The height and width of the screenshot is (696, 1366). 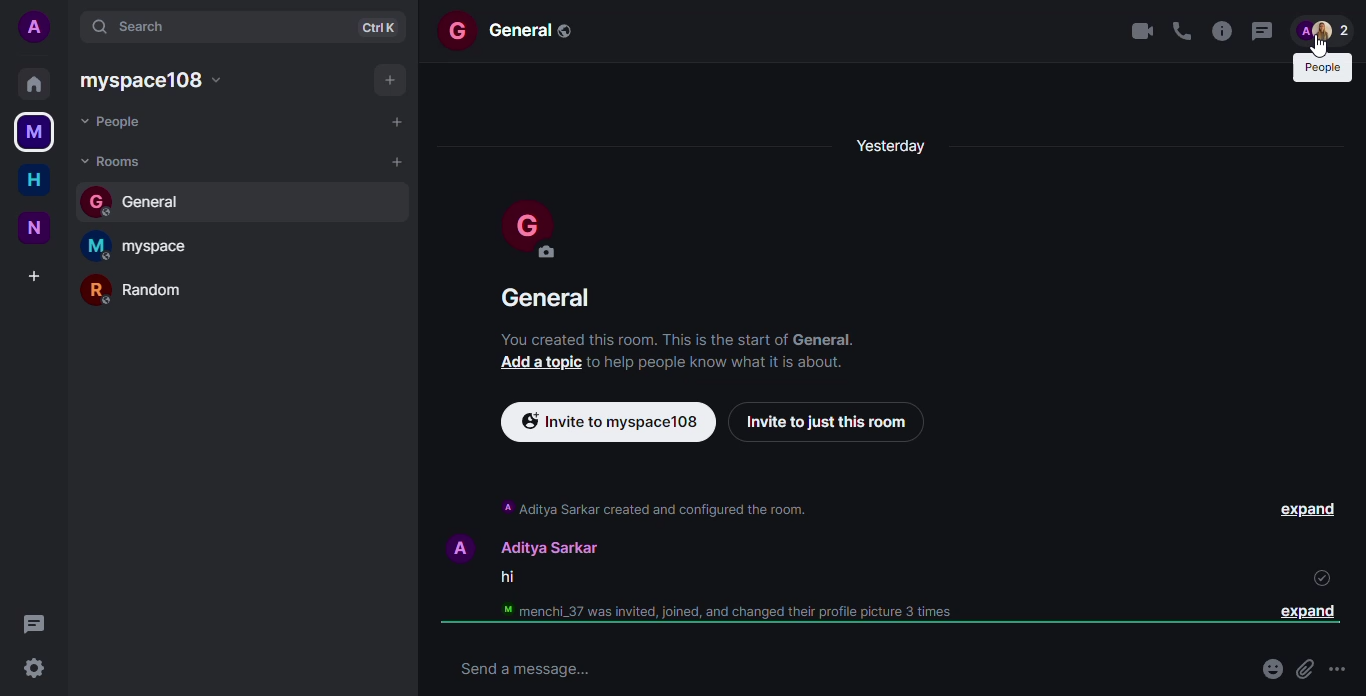 I want to click on home, so click(x=33, y=82).